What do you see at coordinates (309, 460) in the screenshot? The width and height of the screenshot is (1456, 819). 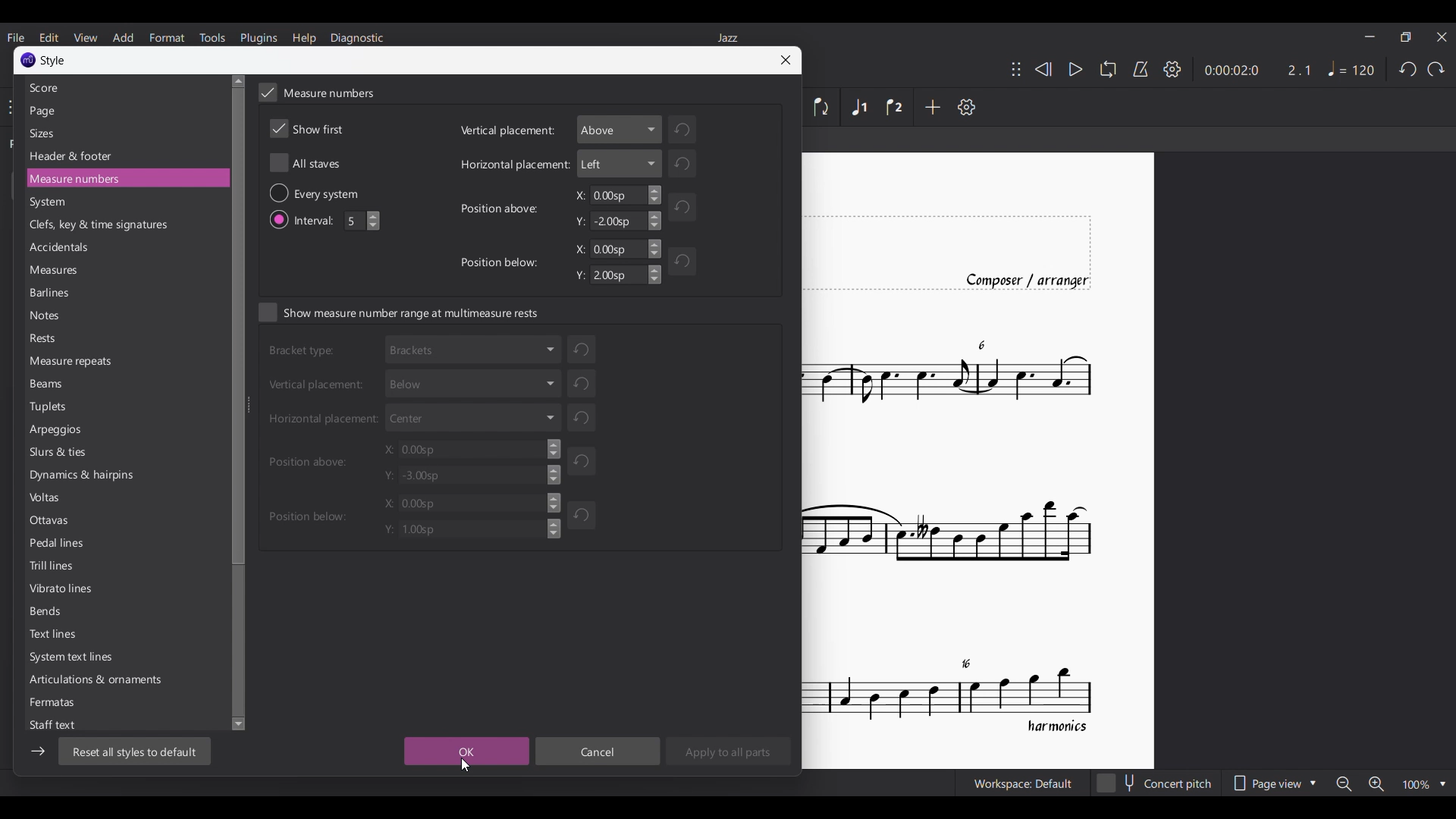 I see `Position` at bounding box center [309, 460].